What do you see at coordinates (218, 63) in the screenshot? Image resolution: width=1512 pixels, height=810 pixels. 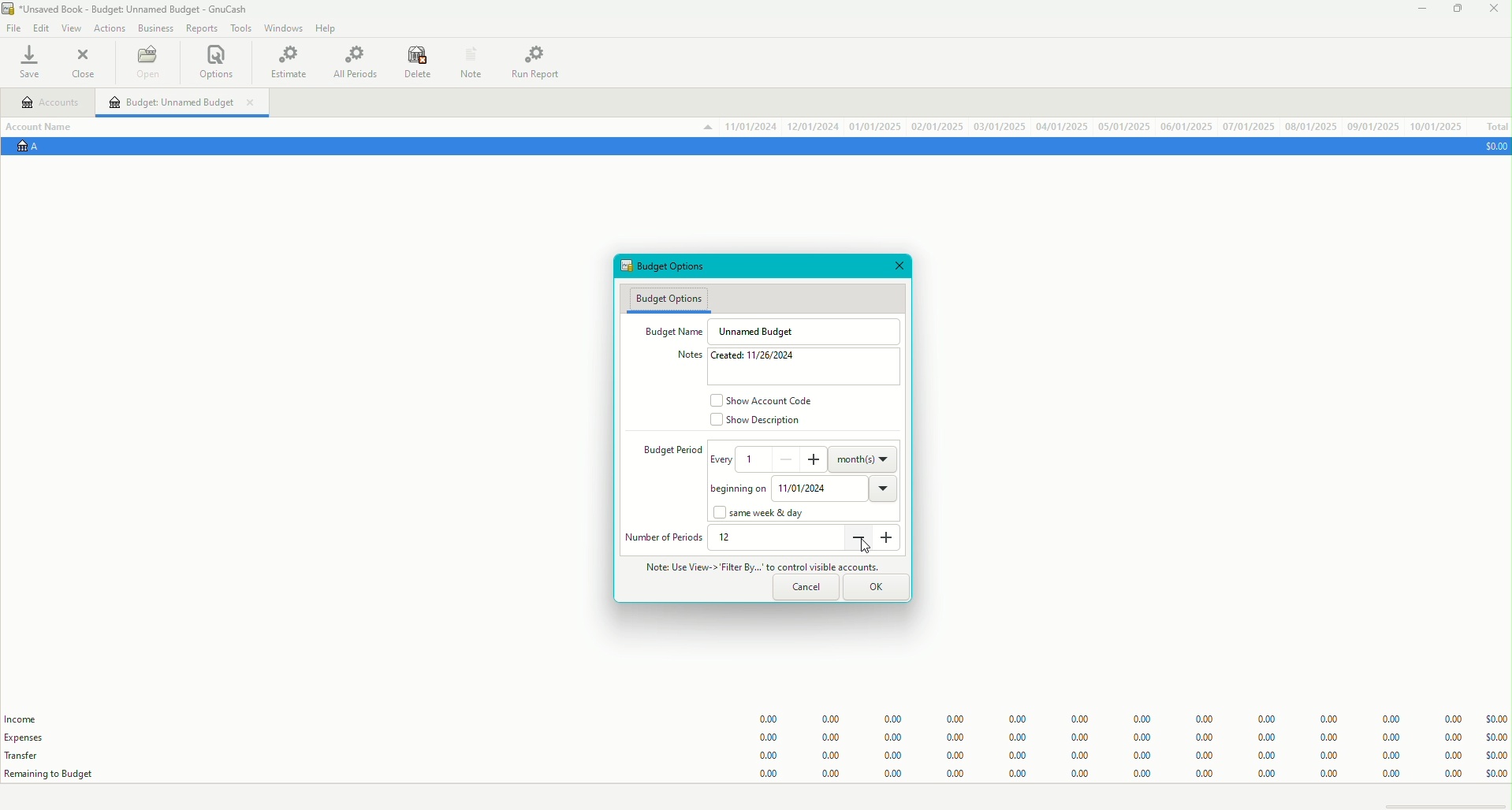 I see `Options` at bounding box center [218, 63].